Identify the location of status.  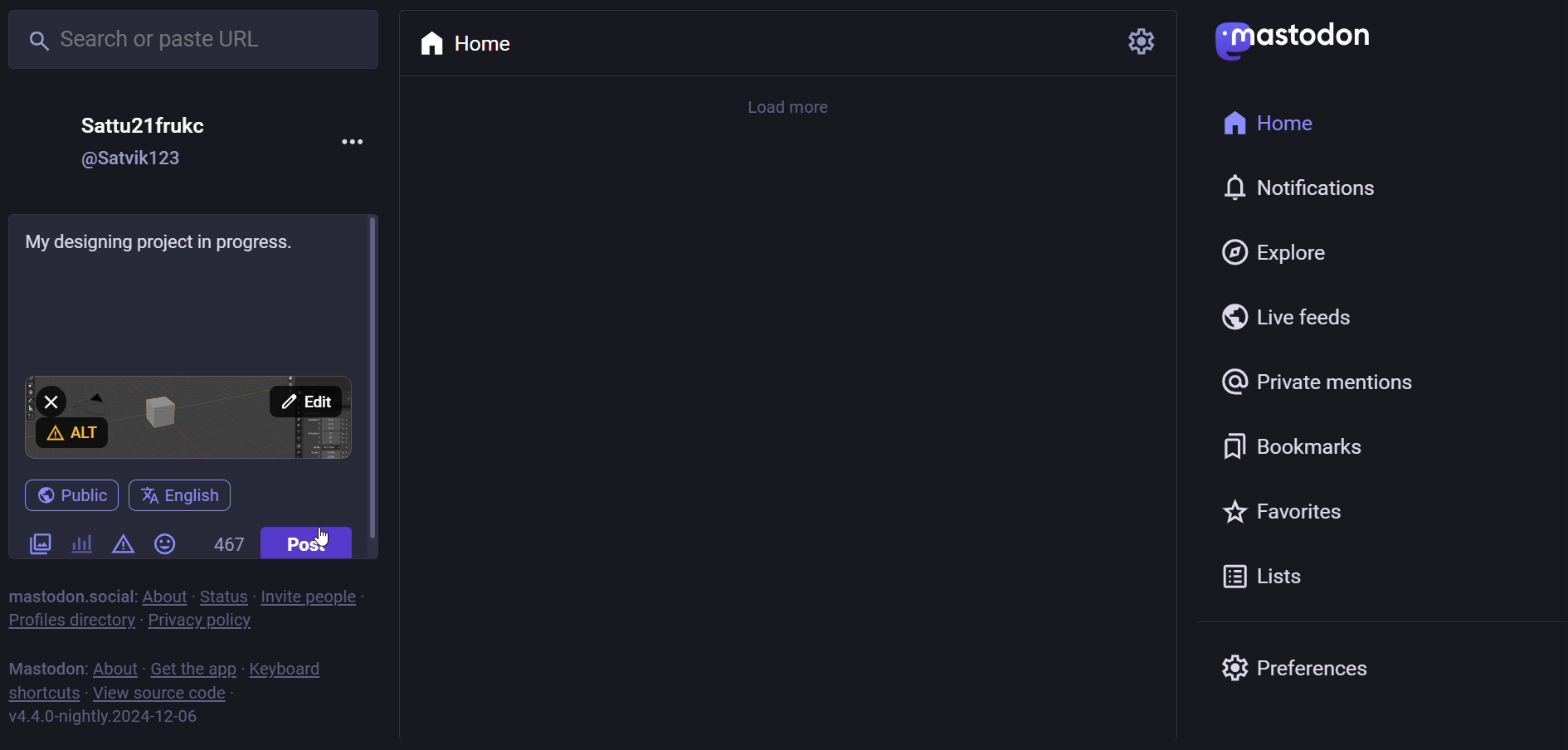
(221, 594).